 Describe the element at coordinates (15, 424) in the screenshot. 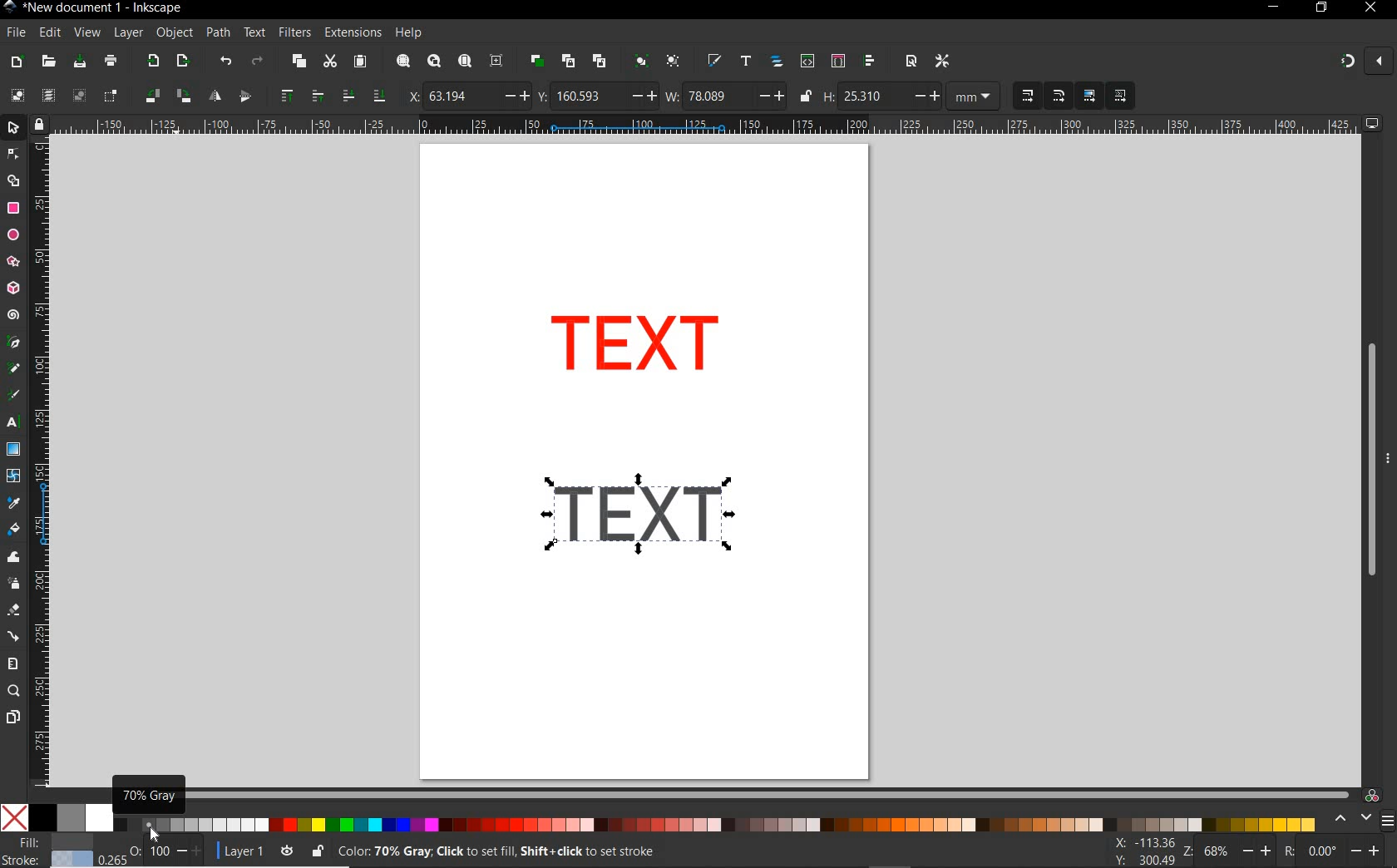

I see `text tool` at that location.